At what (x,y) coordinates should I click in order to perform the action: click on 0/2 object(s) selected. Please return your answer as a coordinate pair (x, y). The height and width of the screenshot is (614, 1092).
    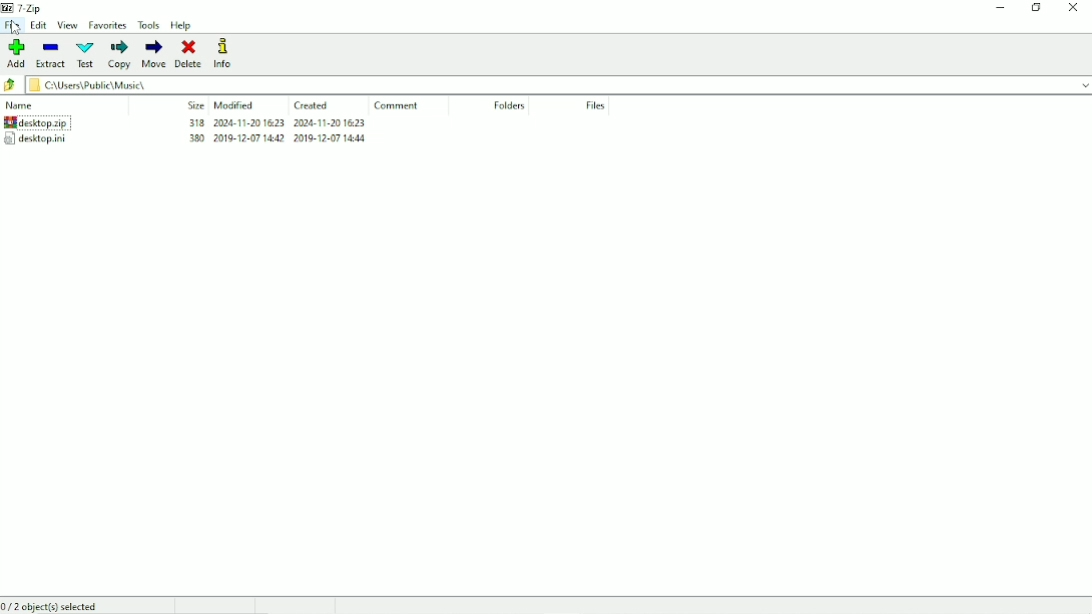
    Looking at the image, I should click on (56, 606).